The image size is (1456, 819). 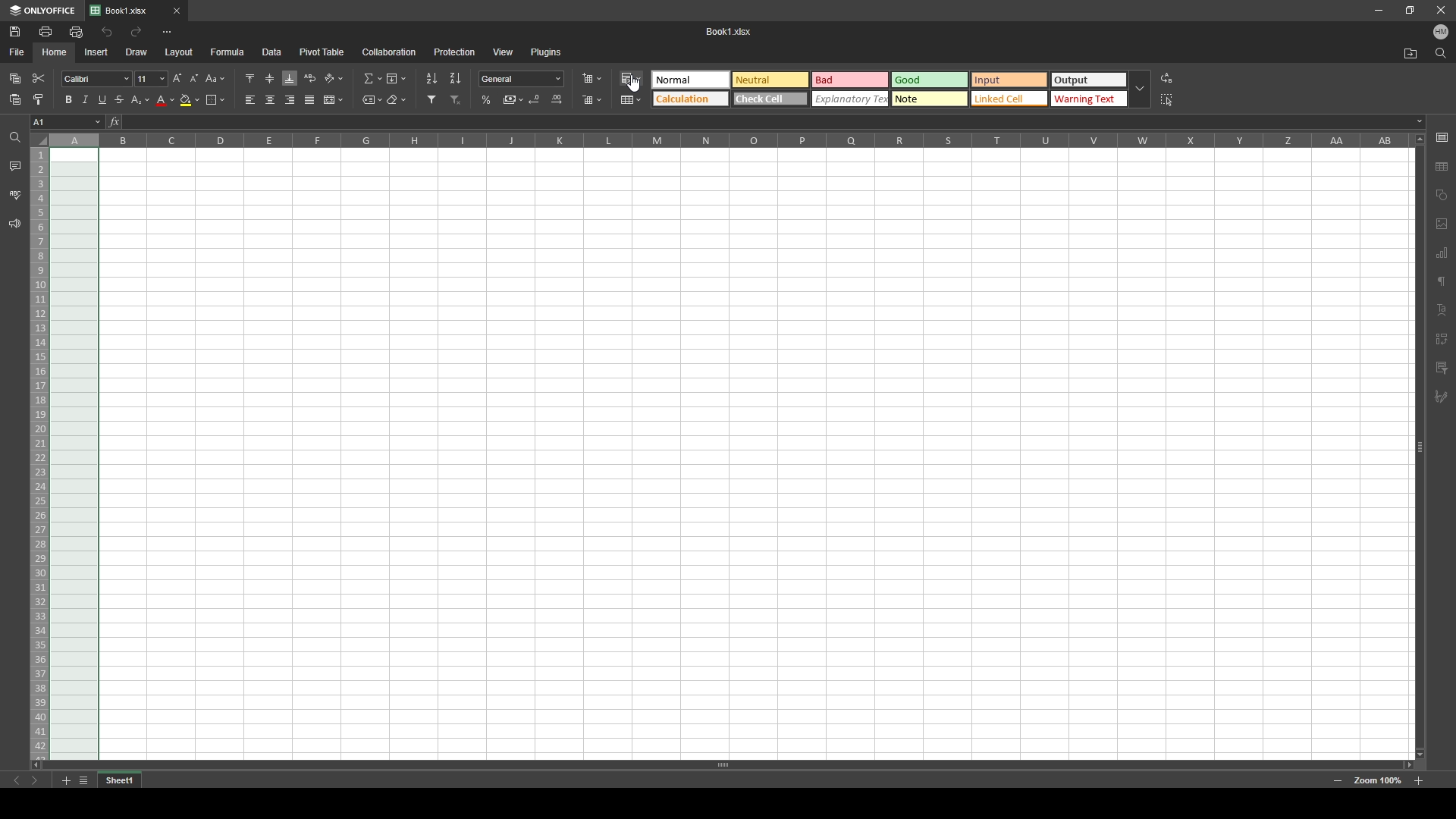 I want to click on paragraph, so click(x=1442, y=282).